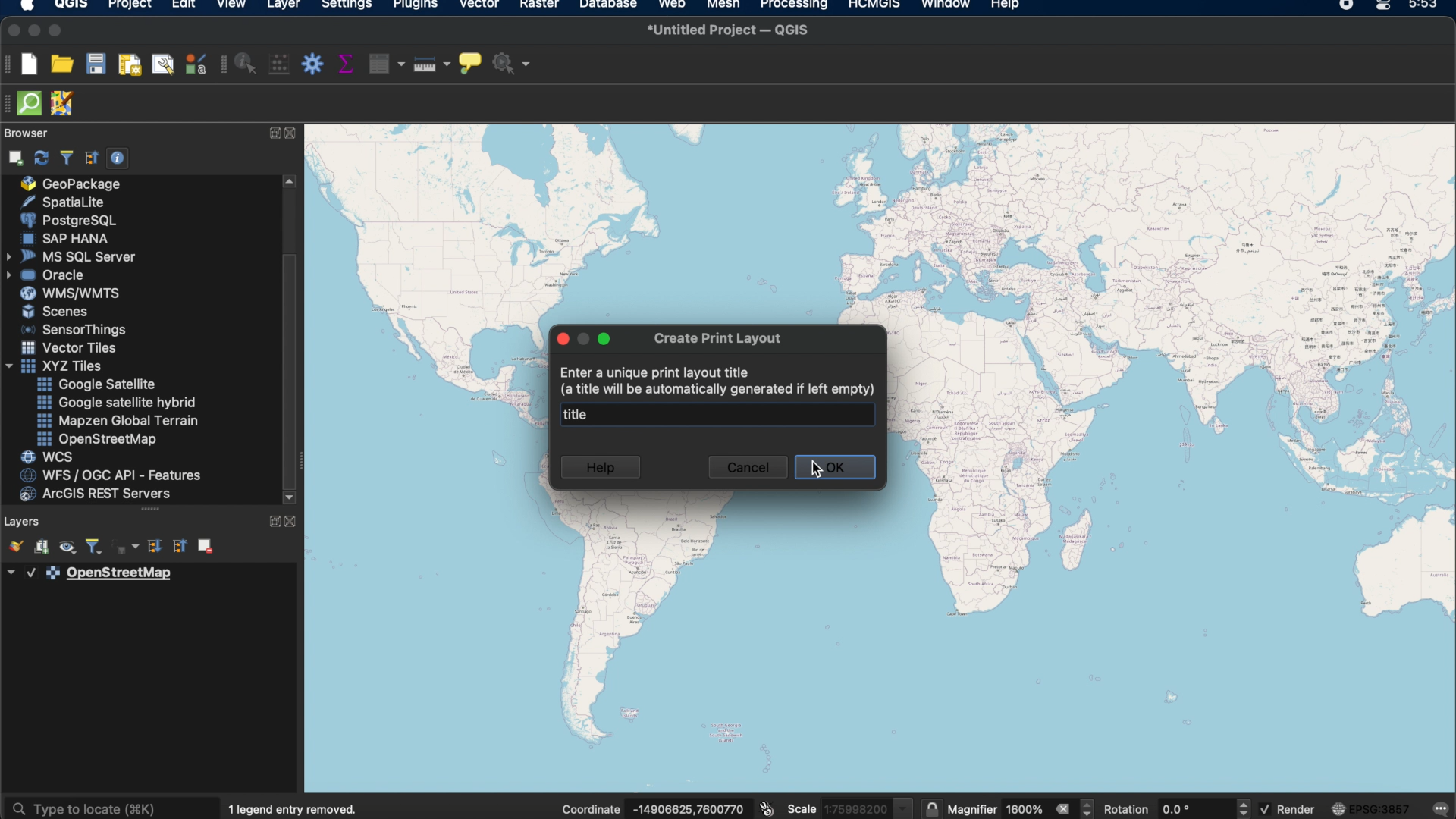 The height and width of the screenshot is (819, 1456). What do you see at coordinates (51, 310) in the screenshot?
I see `scenes` at bounding box center [51, 310].